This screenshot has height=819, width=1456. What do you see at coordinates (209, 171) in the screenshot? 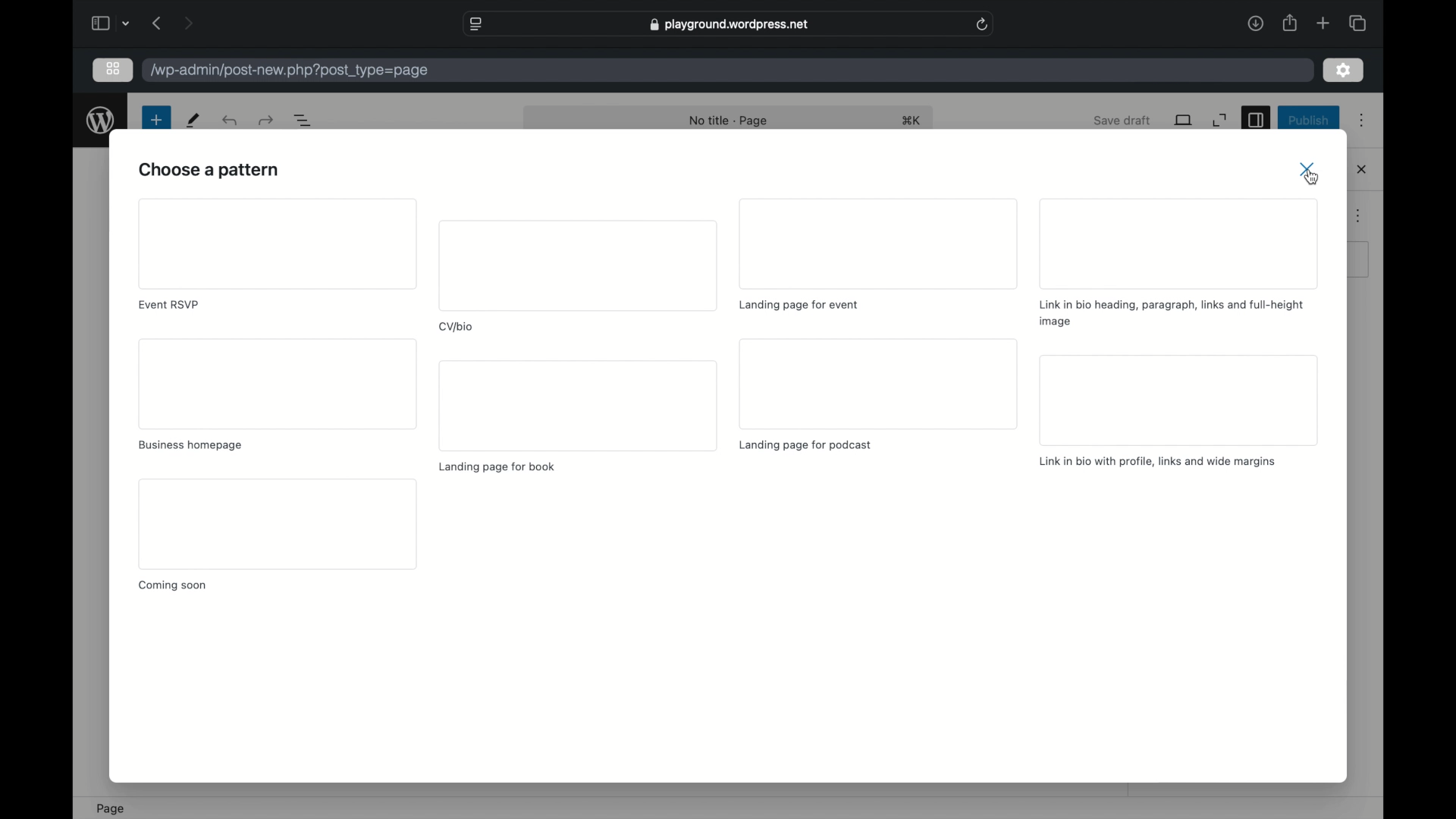
I see `choose a pattern` at bounding box center [209, 171].